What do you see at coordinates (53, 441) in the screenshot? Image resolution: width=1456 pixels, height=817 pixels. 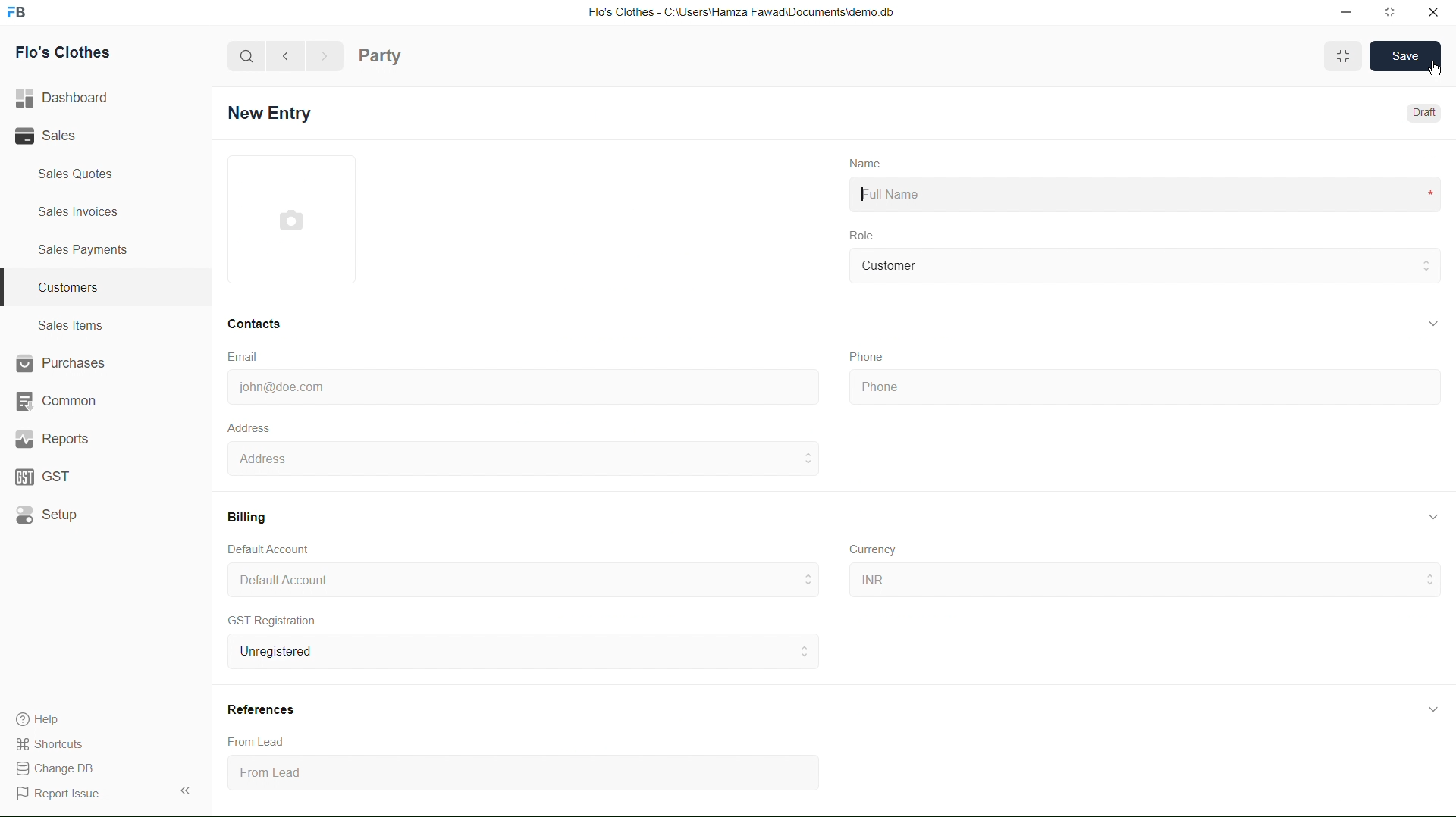 I see `Reports` at bounding box center [53, 441].